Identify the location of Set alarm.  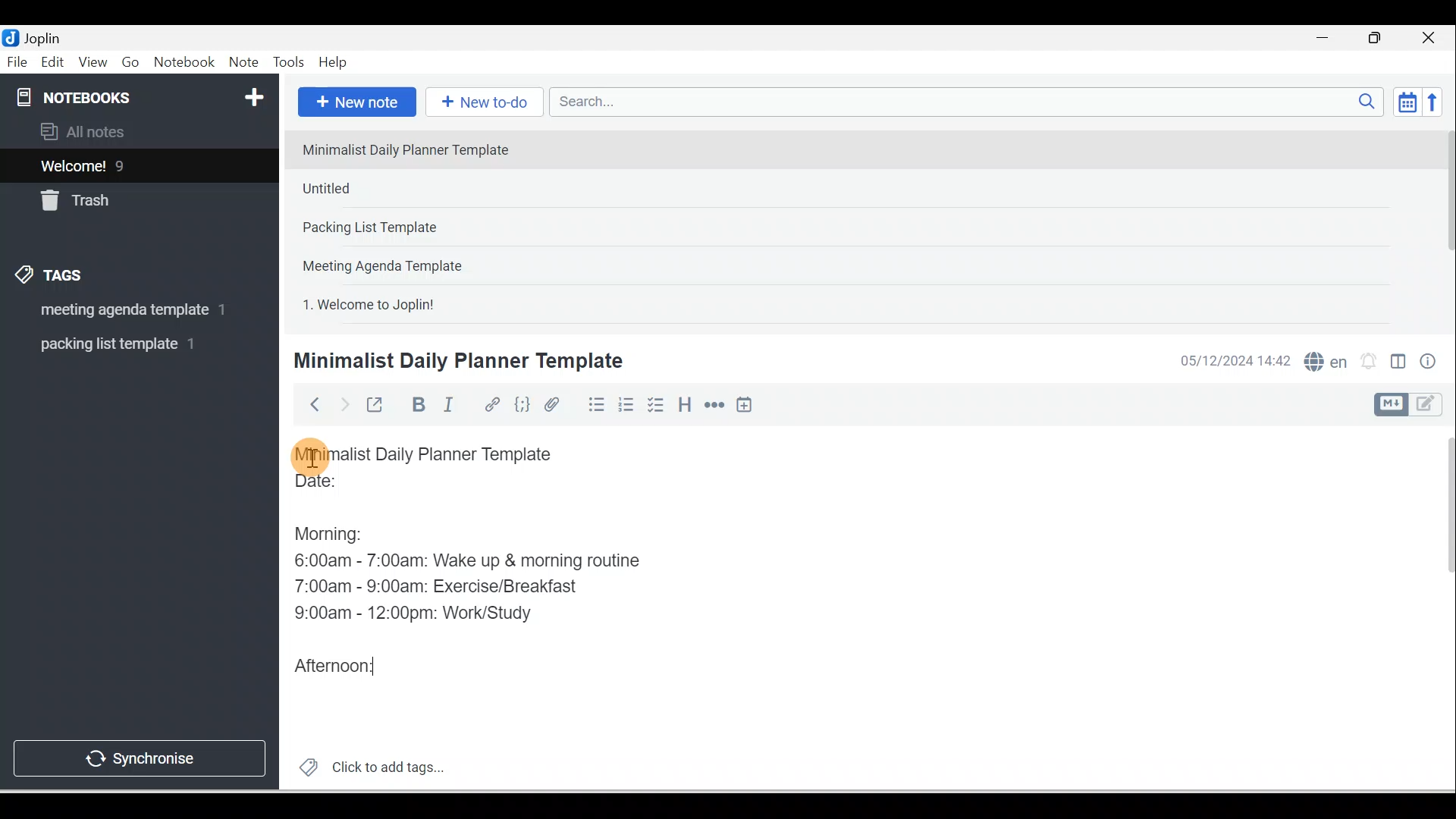
(1367, 362).